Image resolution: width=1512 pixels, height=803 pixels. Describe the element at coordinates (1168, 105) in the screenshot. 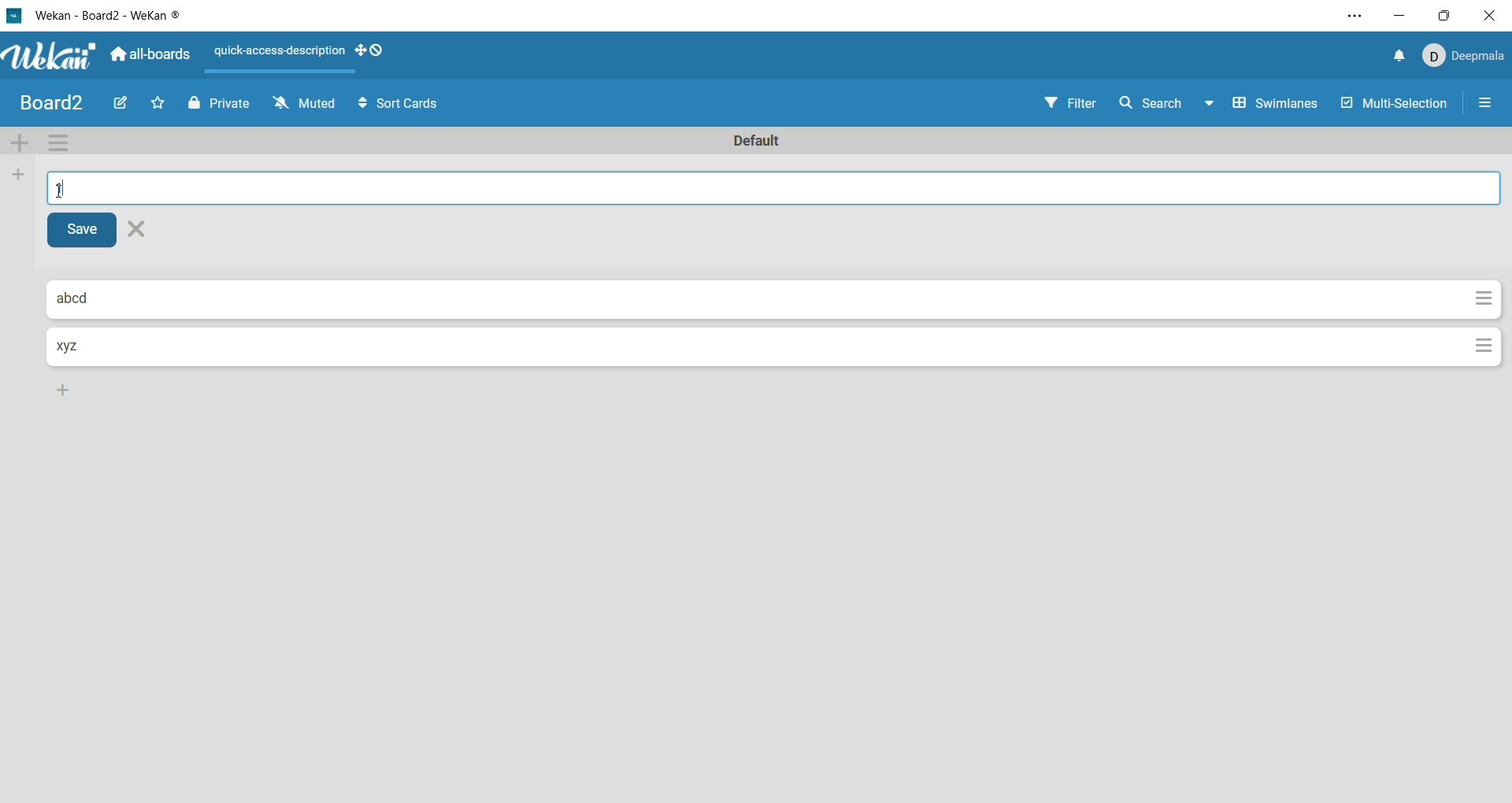

I see `search` at that location.